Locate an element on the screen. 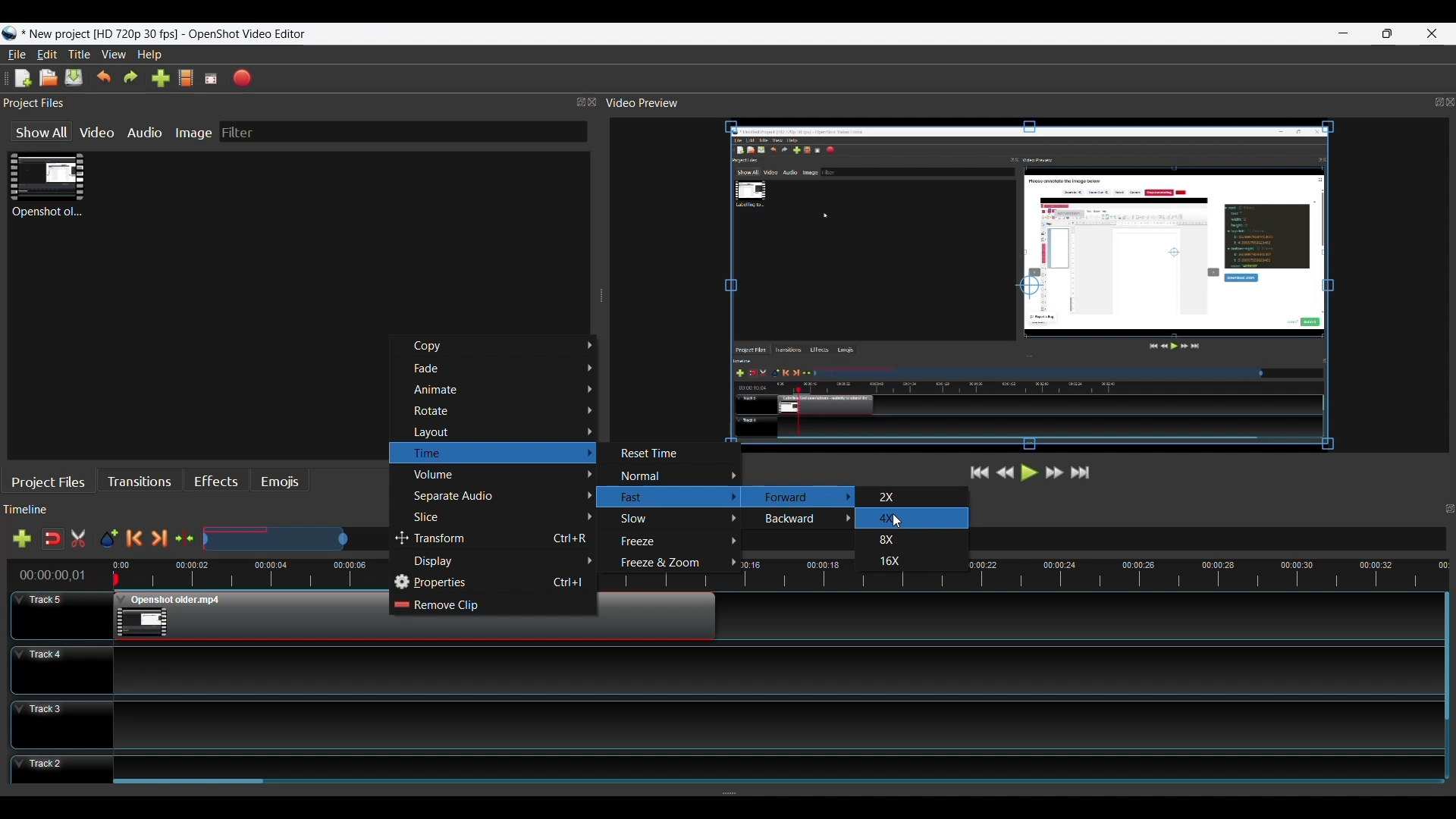  Track Header is located at coordinates (61, 769).